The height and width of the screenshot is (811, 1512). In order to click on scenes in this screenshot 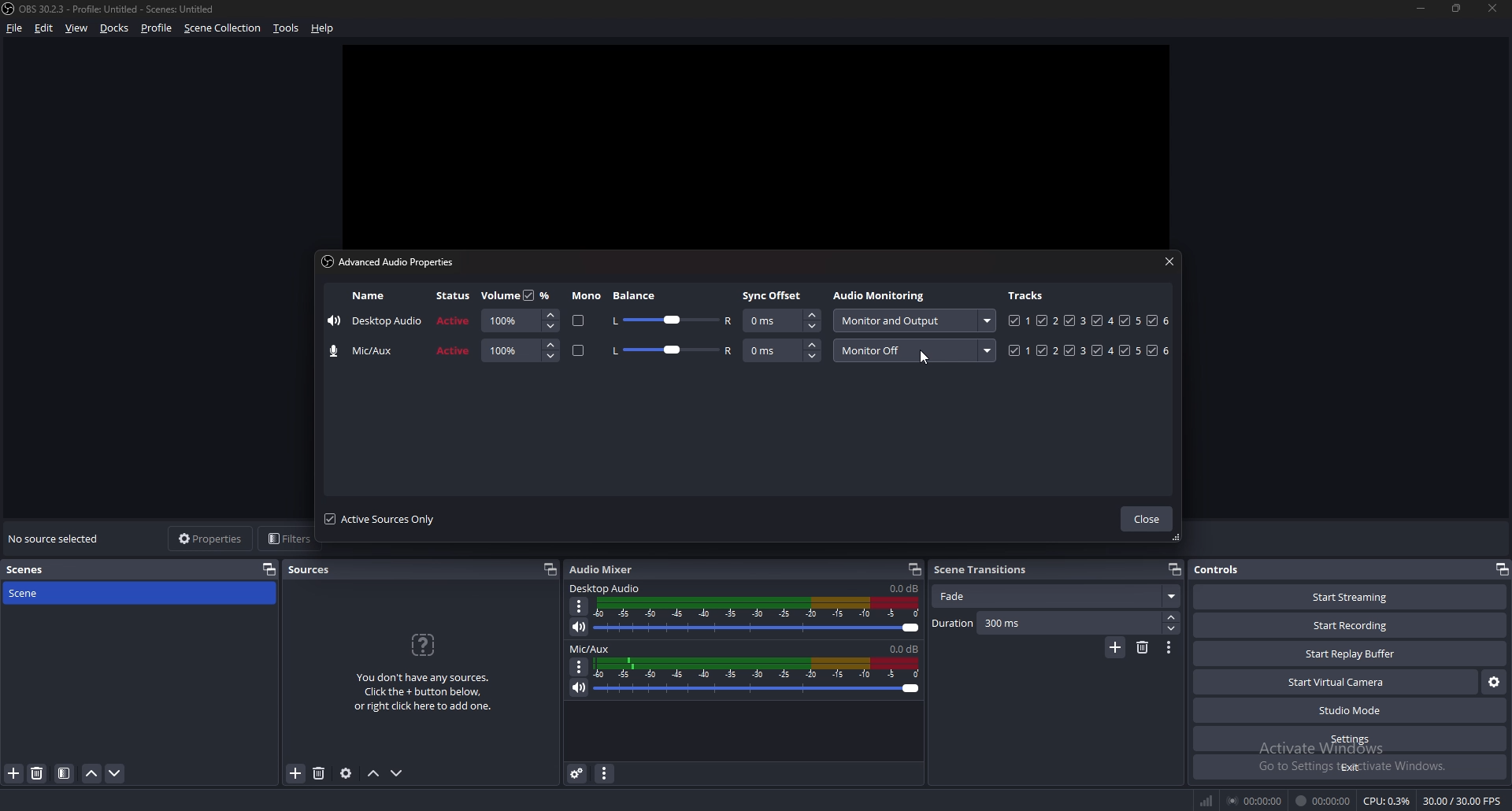, I will do `click(41, 568)`.